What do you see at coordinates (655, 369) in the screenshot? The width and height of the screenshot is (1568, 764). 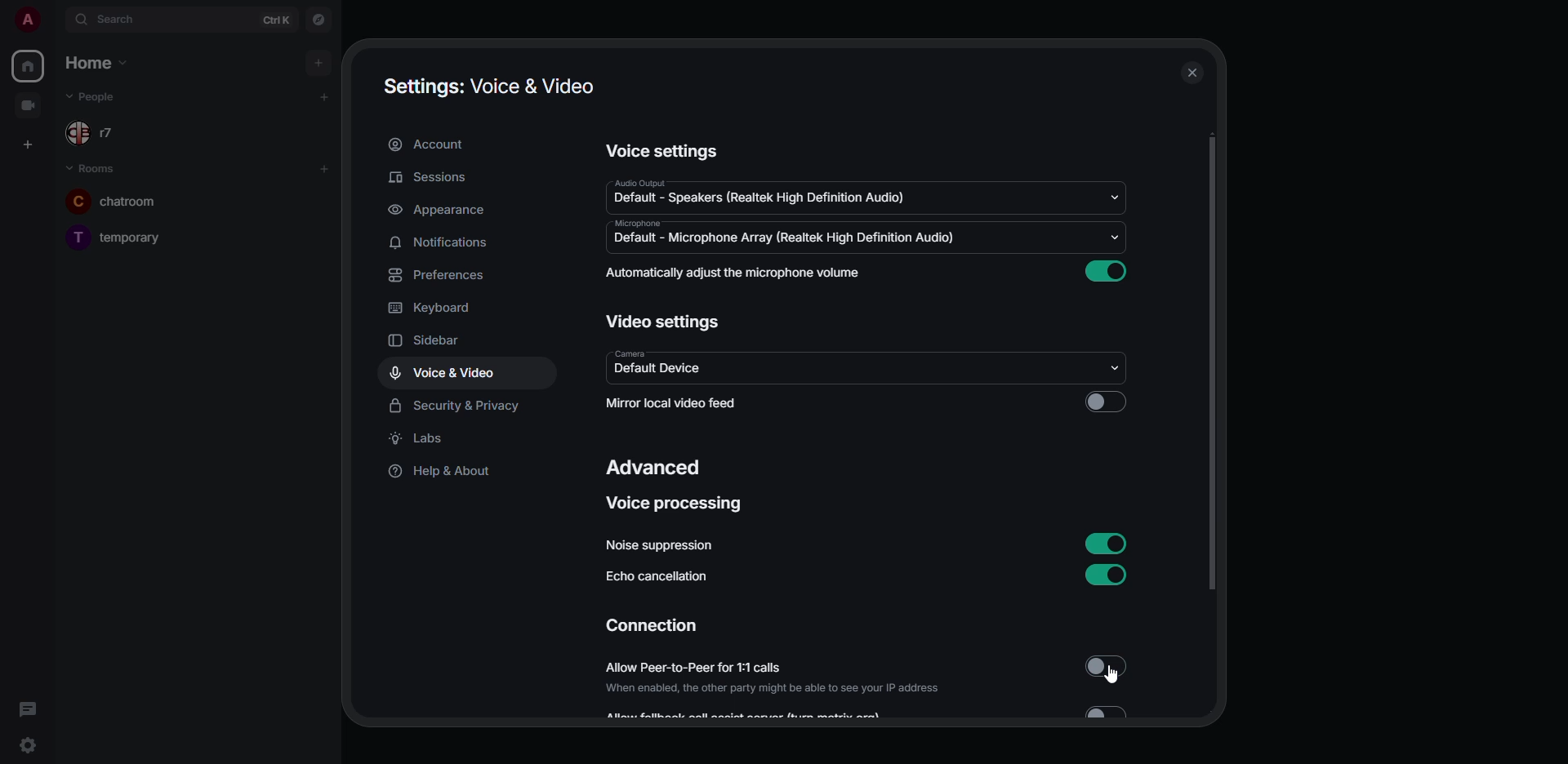 I see `default` at bounding box center [655, 369].